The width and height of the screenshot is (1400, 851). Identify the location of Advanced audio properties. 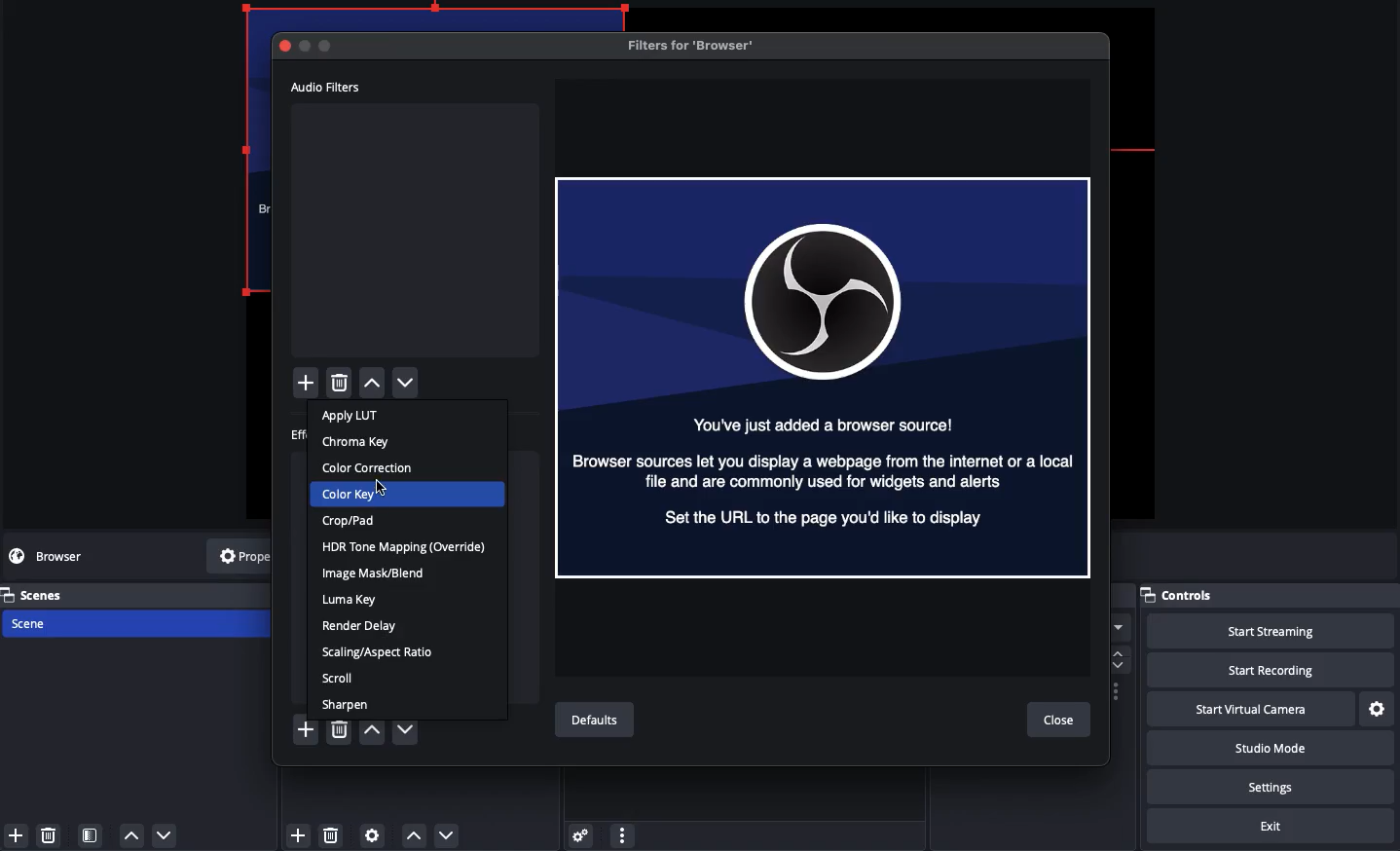
(583, 836).